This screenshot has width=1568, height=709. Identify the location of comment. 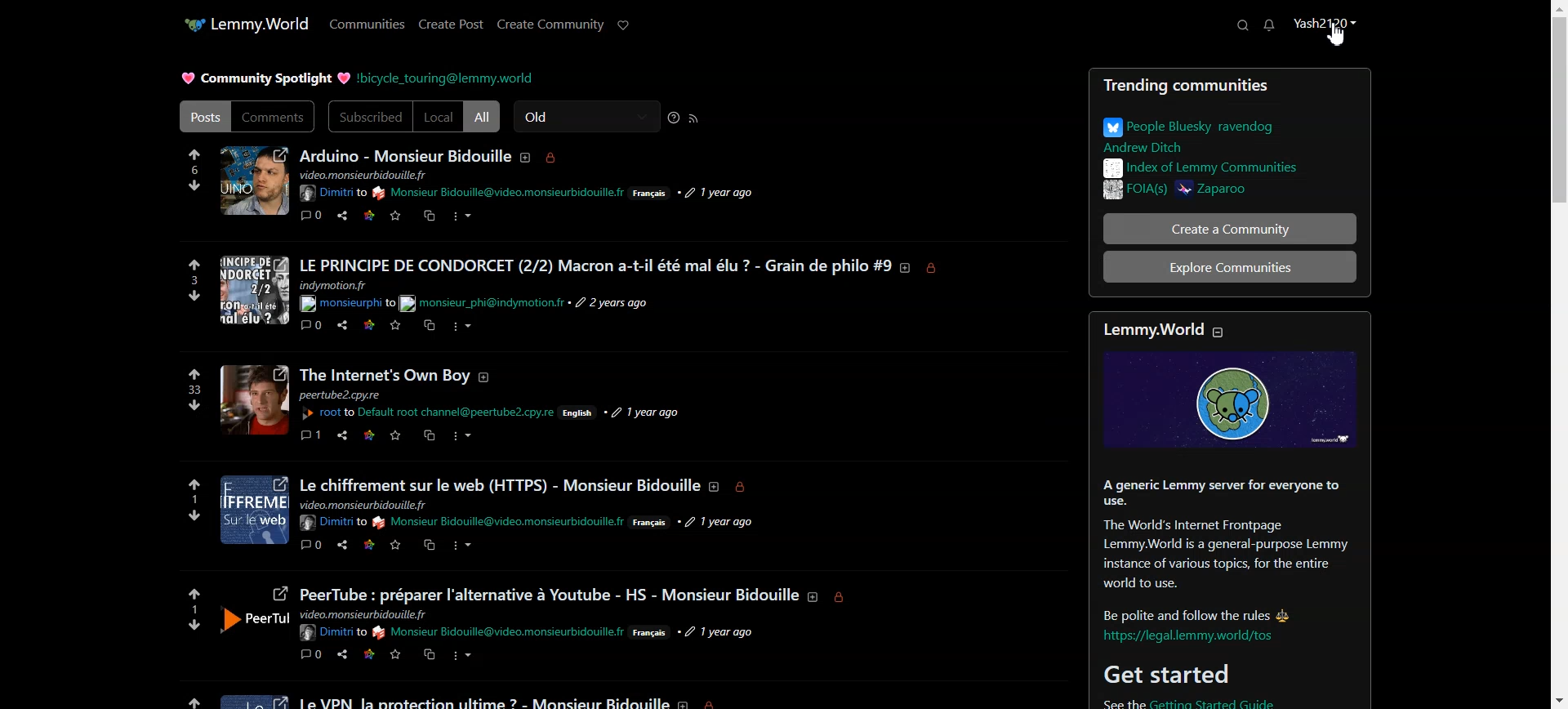
(312, 438).